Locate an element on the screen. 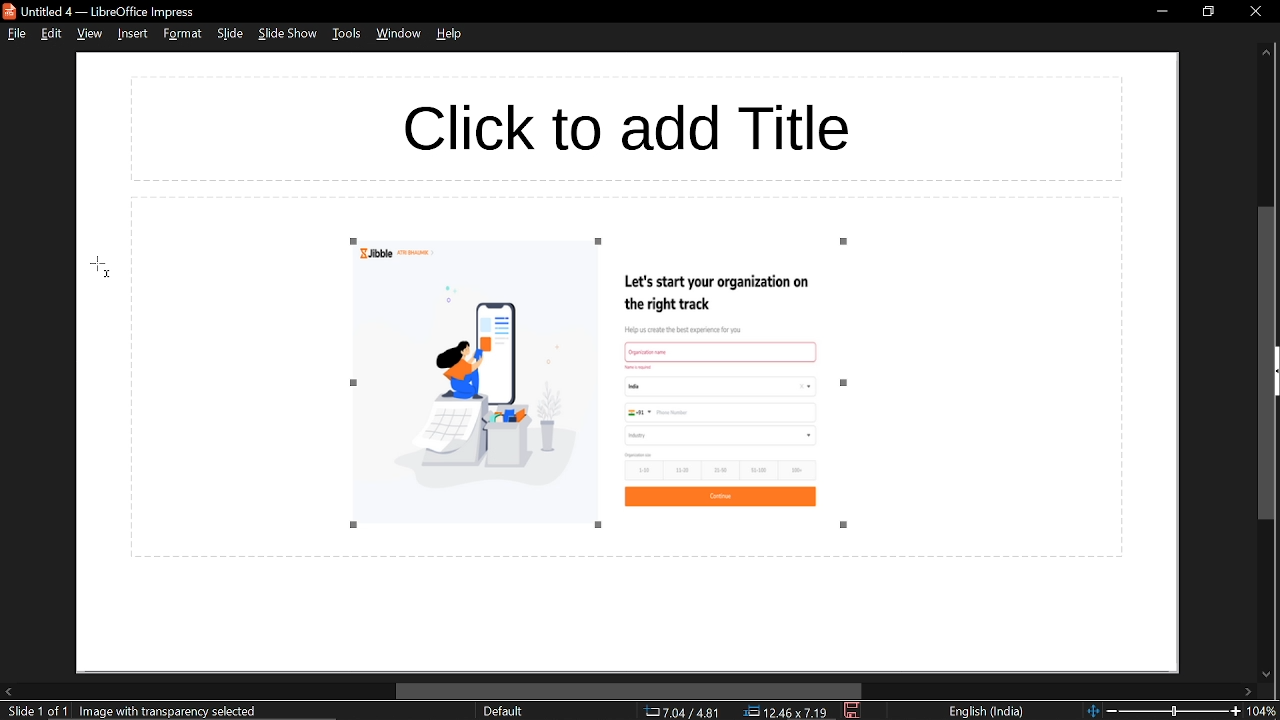 Image resolution: width=1280 pixels, height=720 pixels. language is located at coordinates (989, 712).